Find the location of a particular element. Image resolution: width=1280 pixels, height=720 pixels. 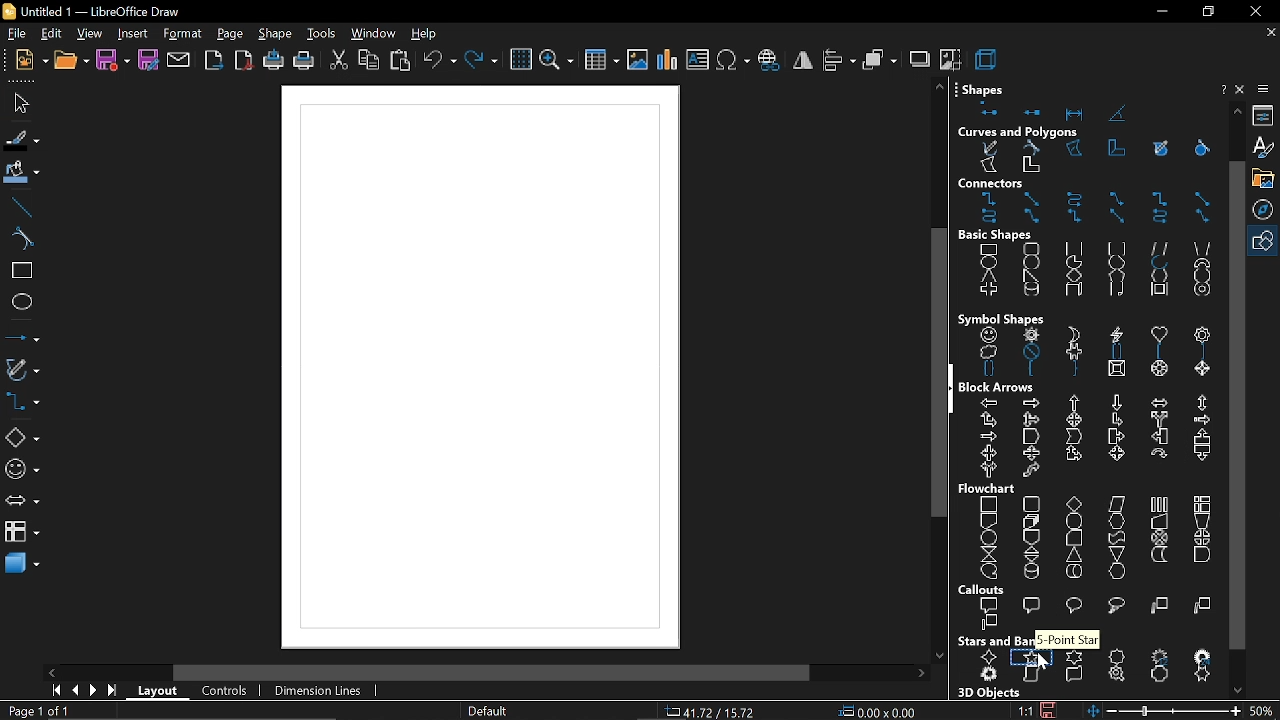

undo is located at coordinates (438, 61).